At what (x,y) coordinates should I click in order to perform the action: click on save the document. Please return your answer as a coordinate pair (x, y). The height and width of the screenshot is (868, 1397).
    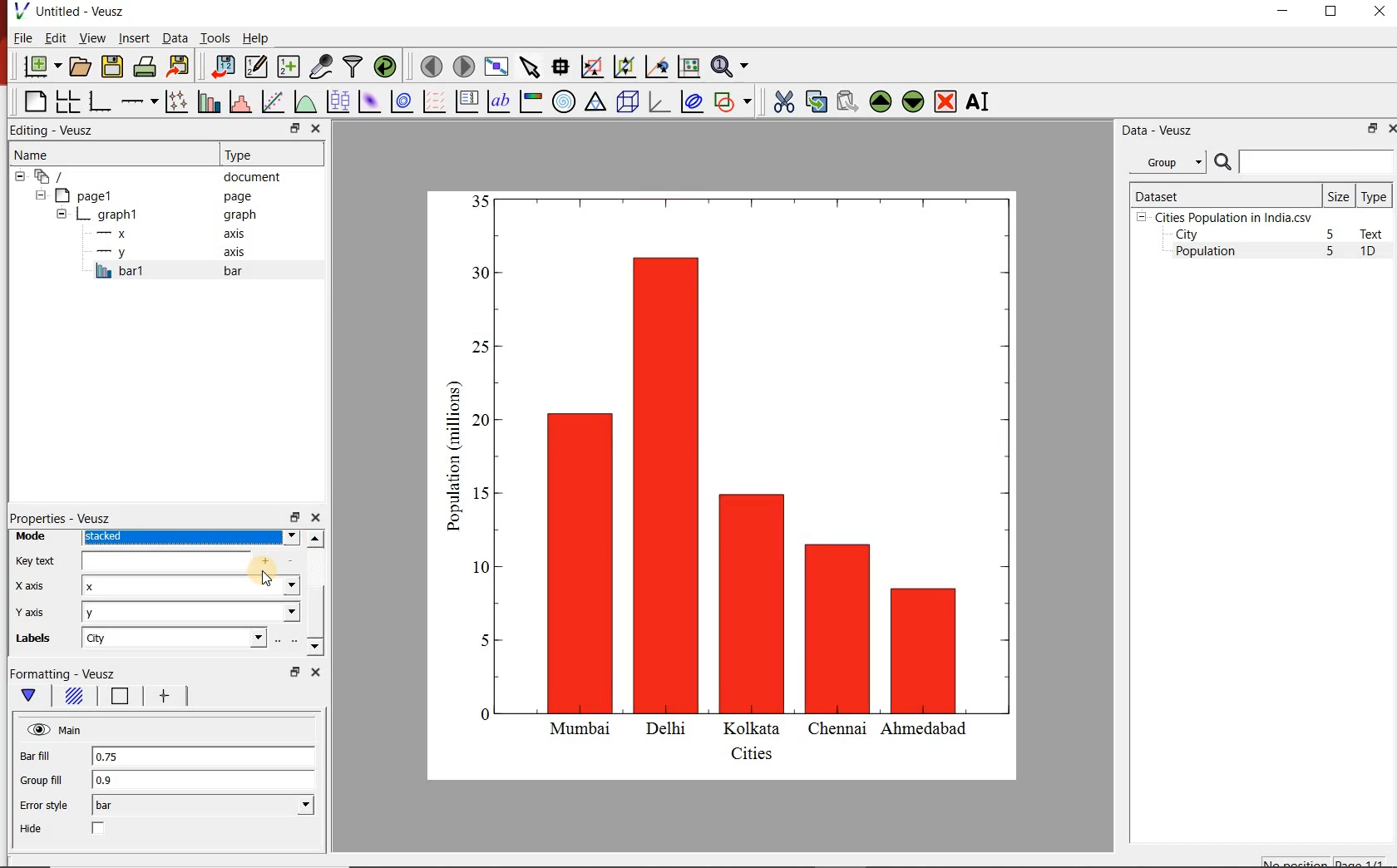
    Looking at the image, I should click on (112, 65).